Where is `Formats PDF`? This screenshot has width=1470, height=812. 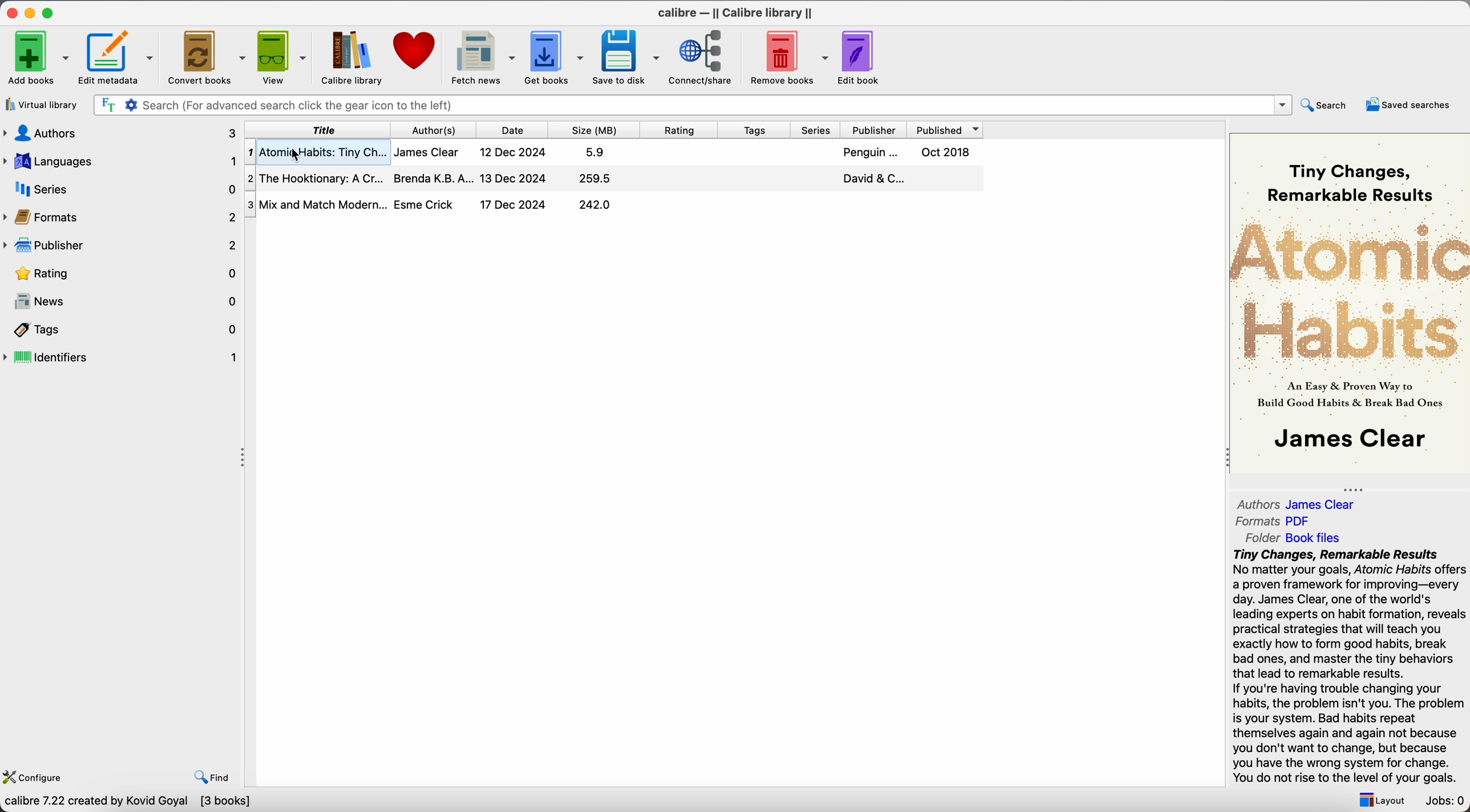
Formats PDF is located at coordinates (1273, 523).